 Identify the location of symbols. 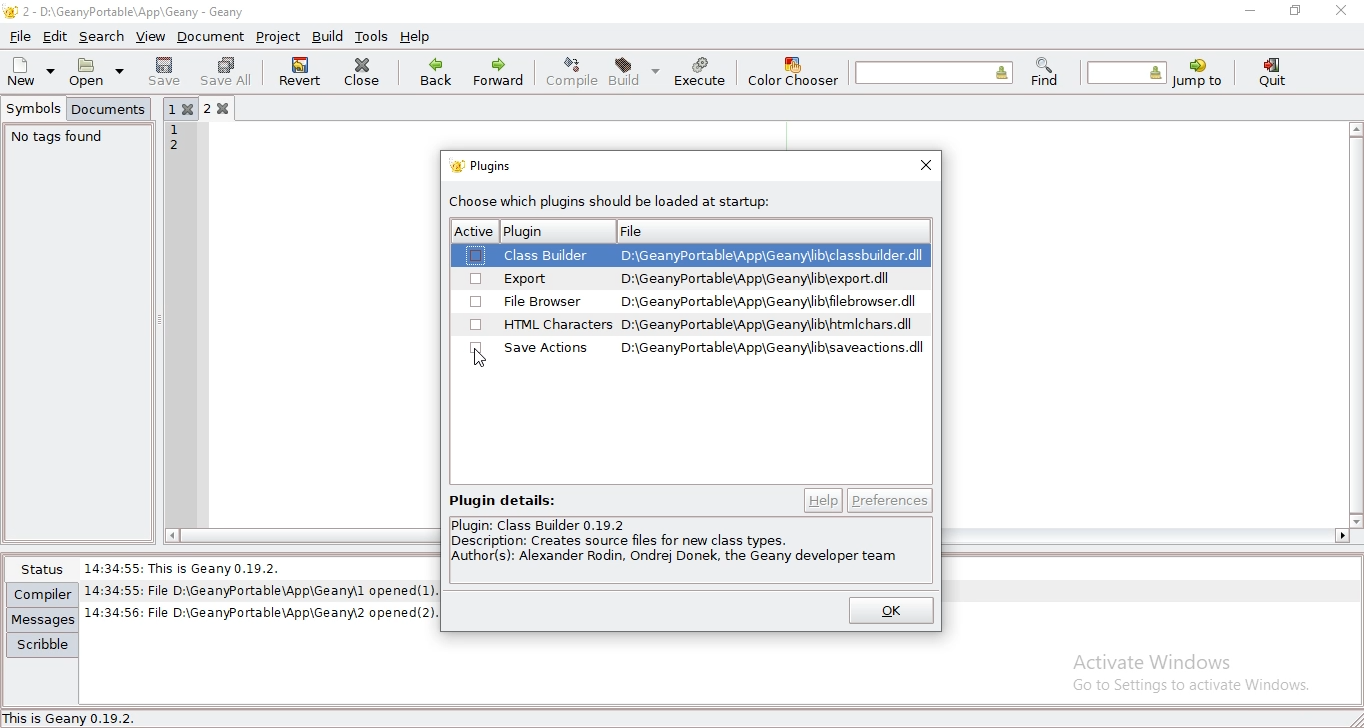
(35, 108).